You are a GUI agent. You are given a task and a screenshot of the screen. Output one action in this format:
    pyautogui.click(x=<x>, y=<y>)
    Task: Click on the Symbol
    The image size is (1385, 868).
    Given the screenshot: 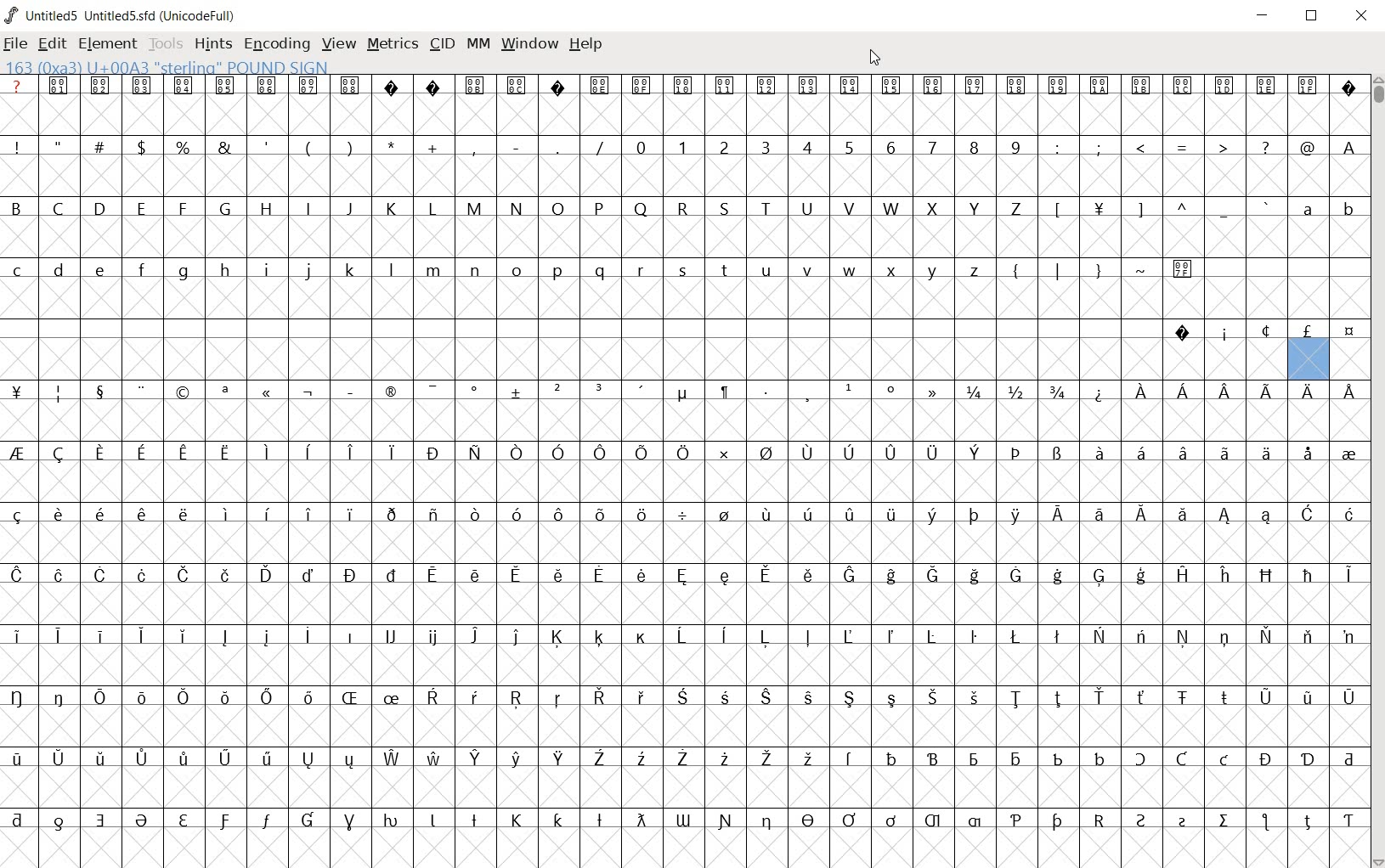 What is the action you would take?
    pyautogui.click(x=639, y=392)
    